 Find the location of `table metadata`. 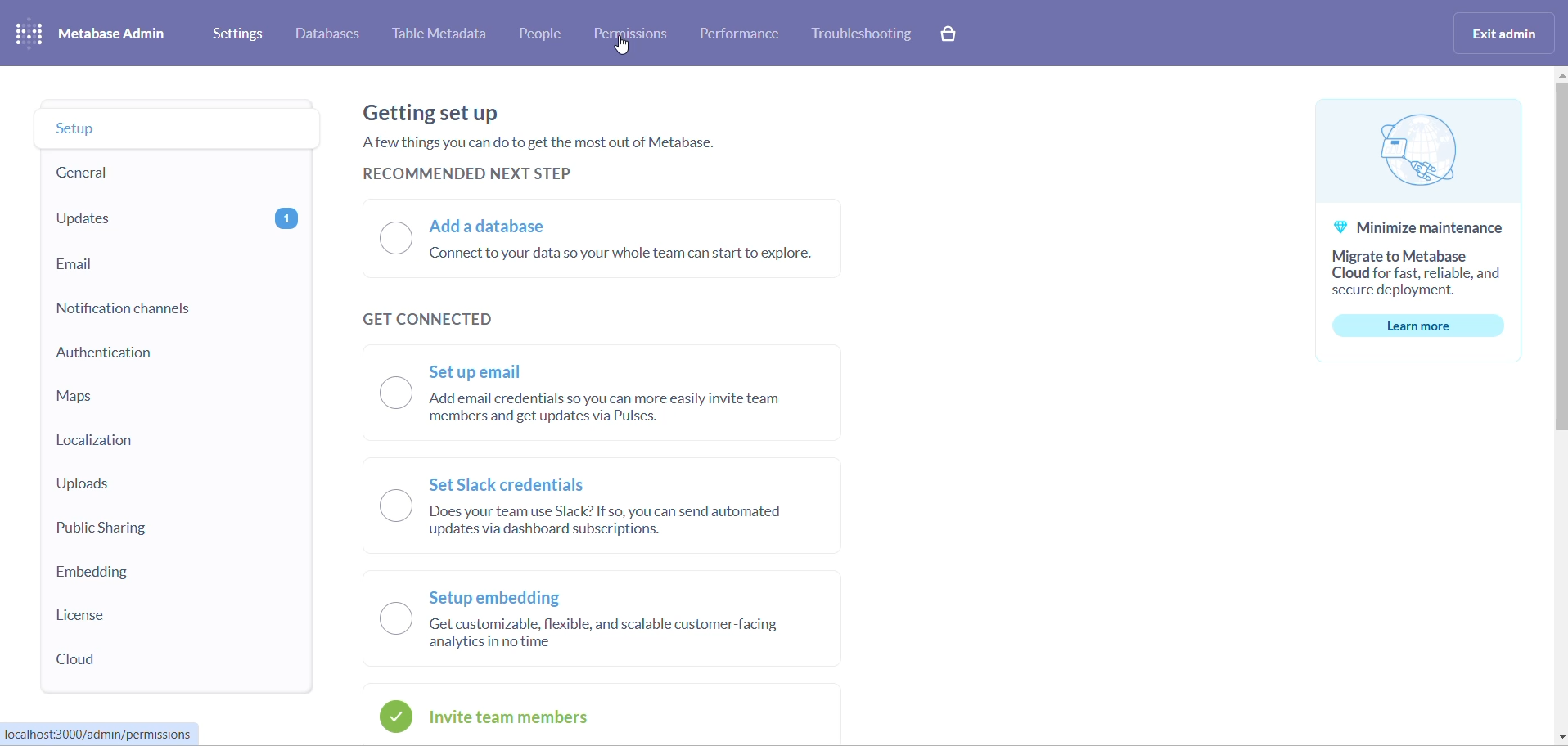

table metadata is located at coordinates (447, 36).